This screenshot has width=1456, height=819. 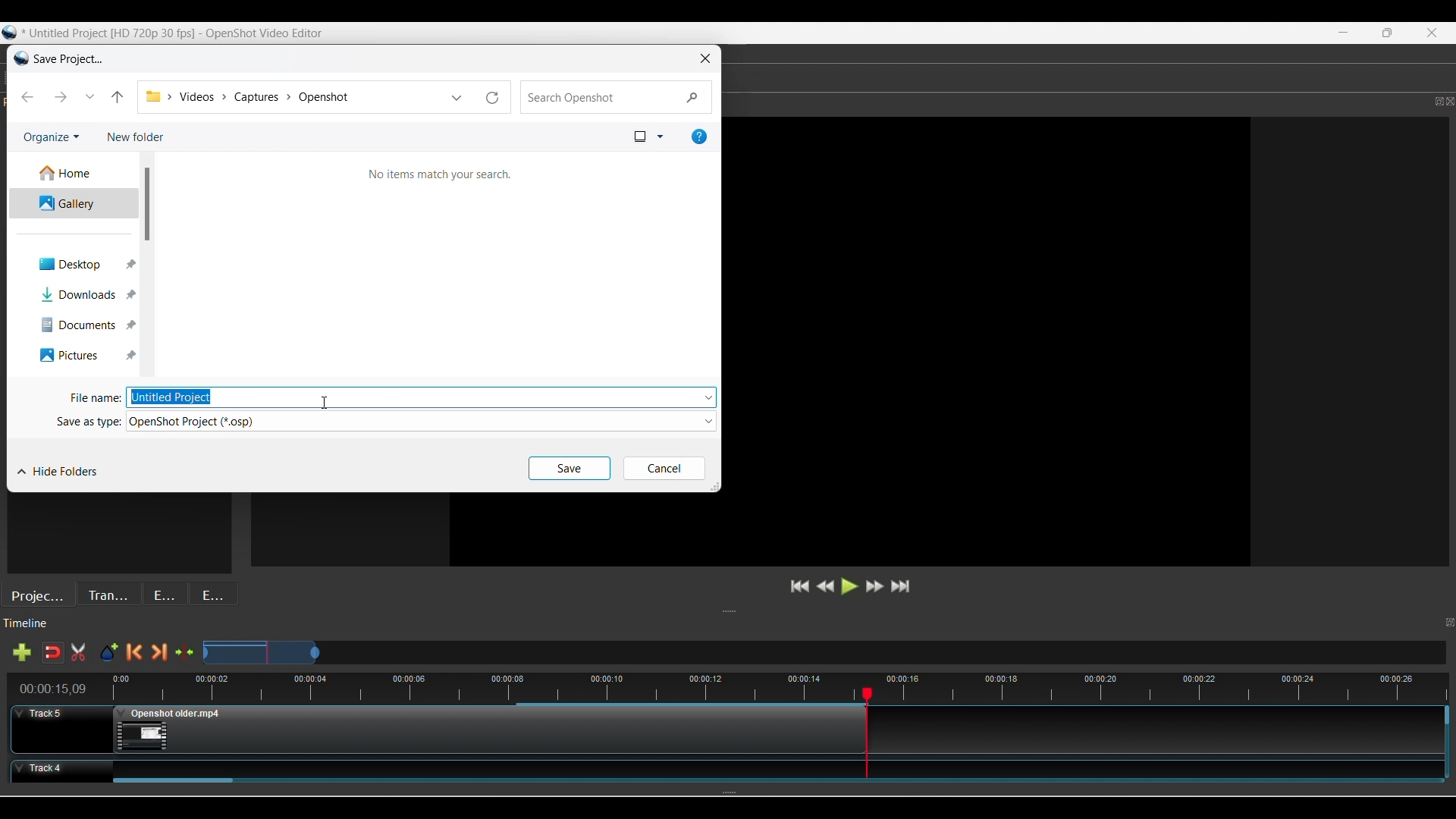 I want to click on Vertical slide bar, so click(x=147, y=205).